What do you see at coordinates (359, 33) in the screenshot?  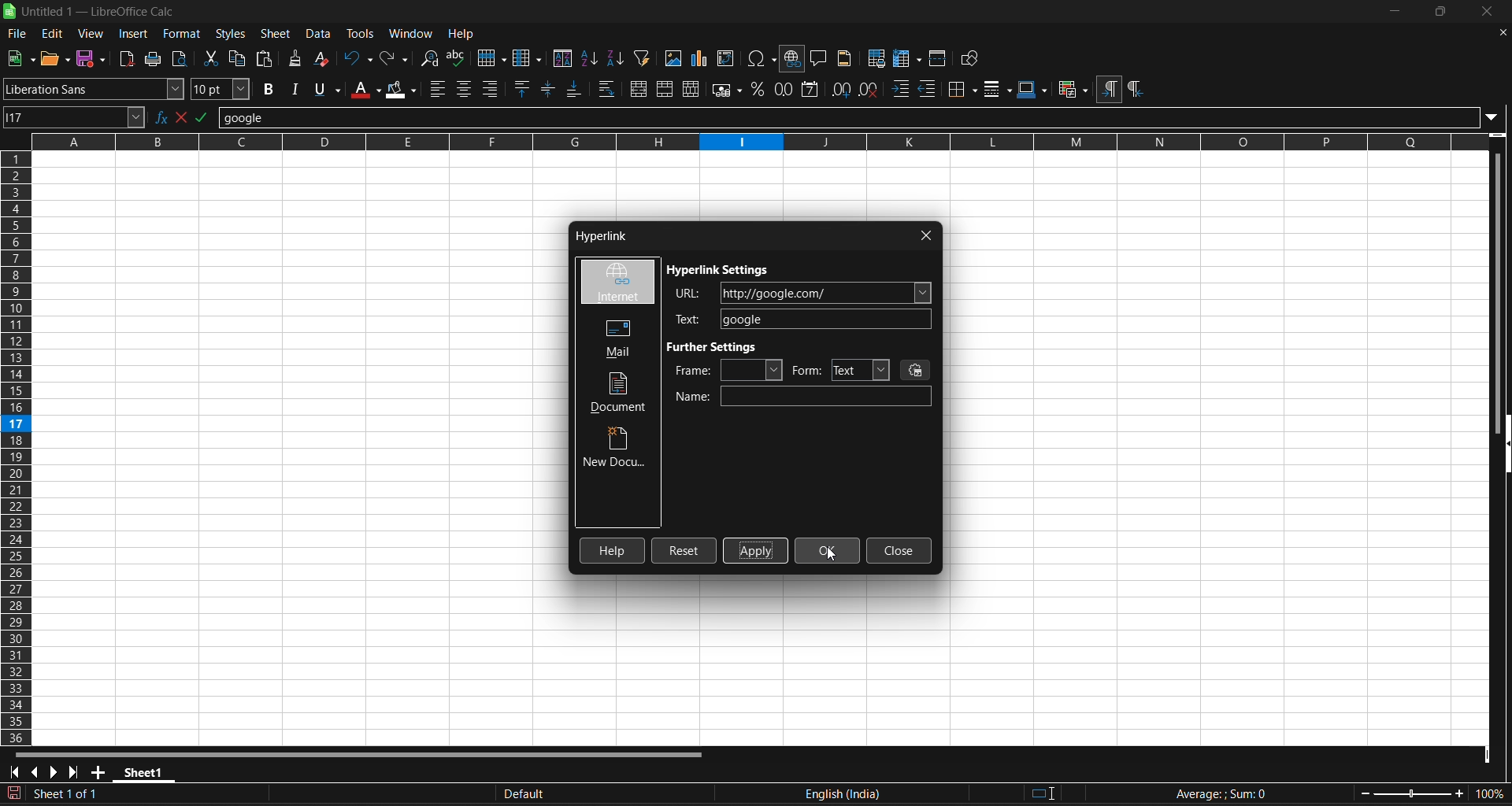 I see `tools` at bounding box center [359, 33].